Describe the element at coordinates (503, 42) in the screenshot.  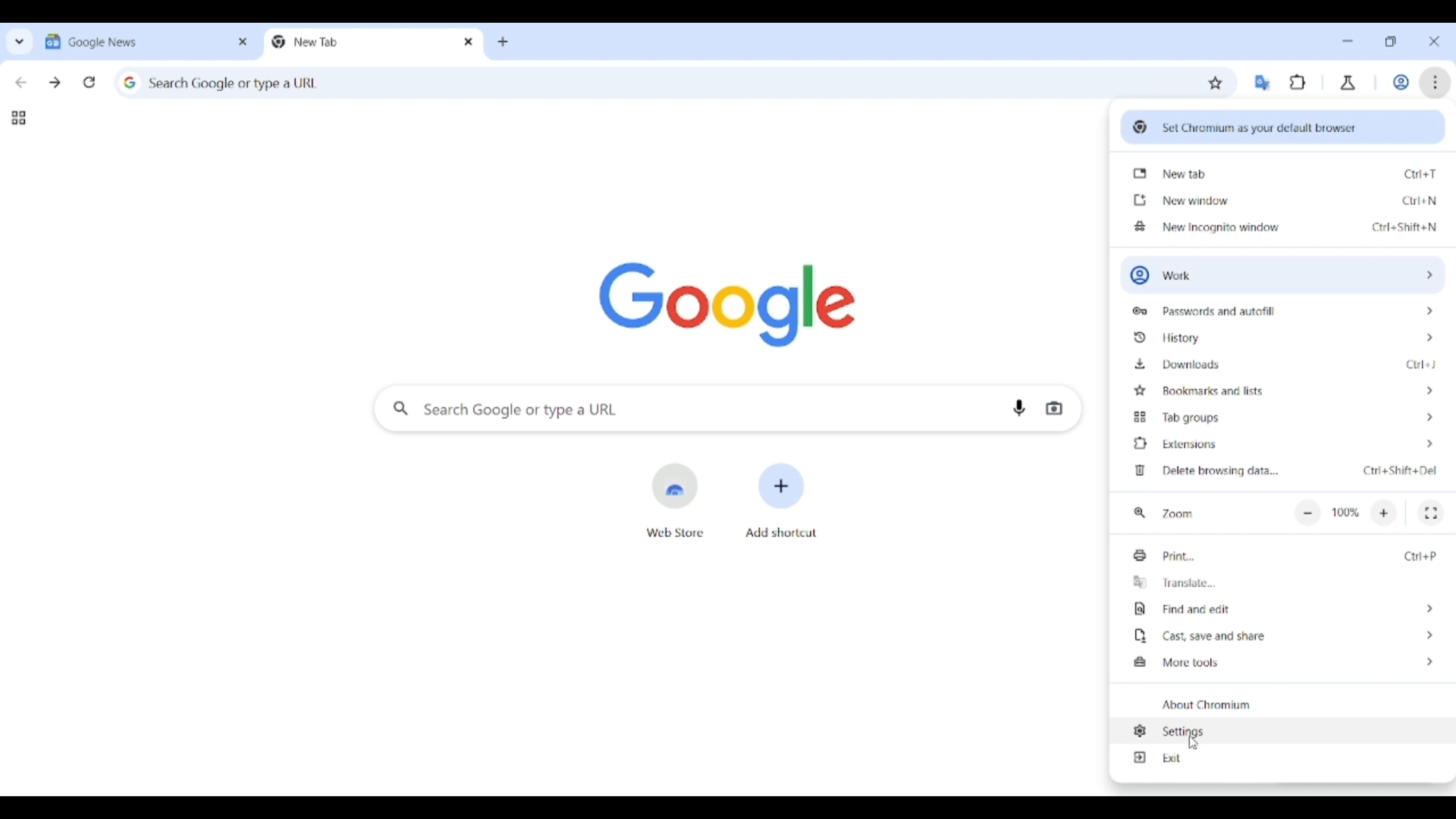
I see `Add new tab` at that location.